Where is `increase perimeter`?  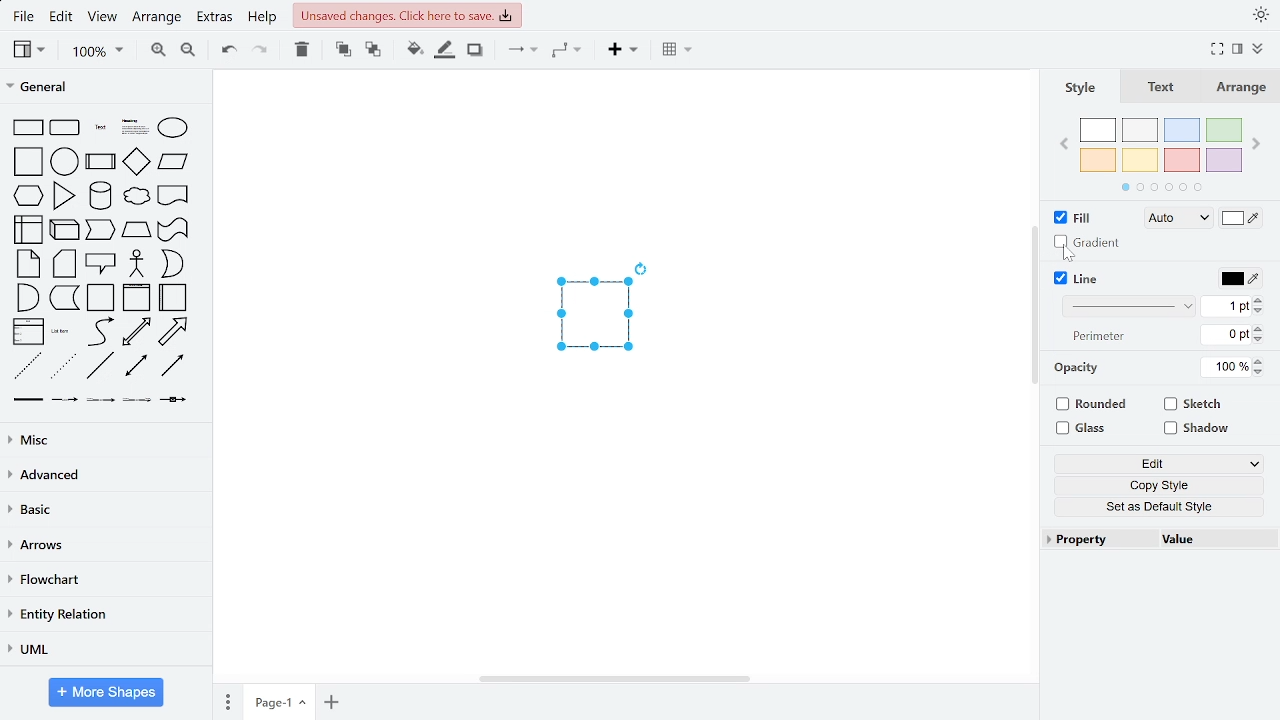
increase perimeter is located at coordinates (1259, 300).